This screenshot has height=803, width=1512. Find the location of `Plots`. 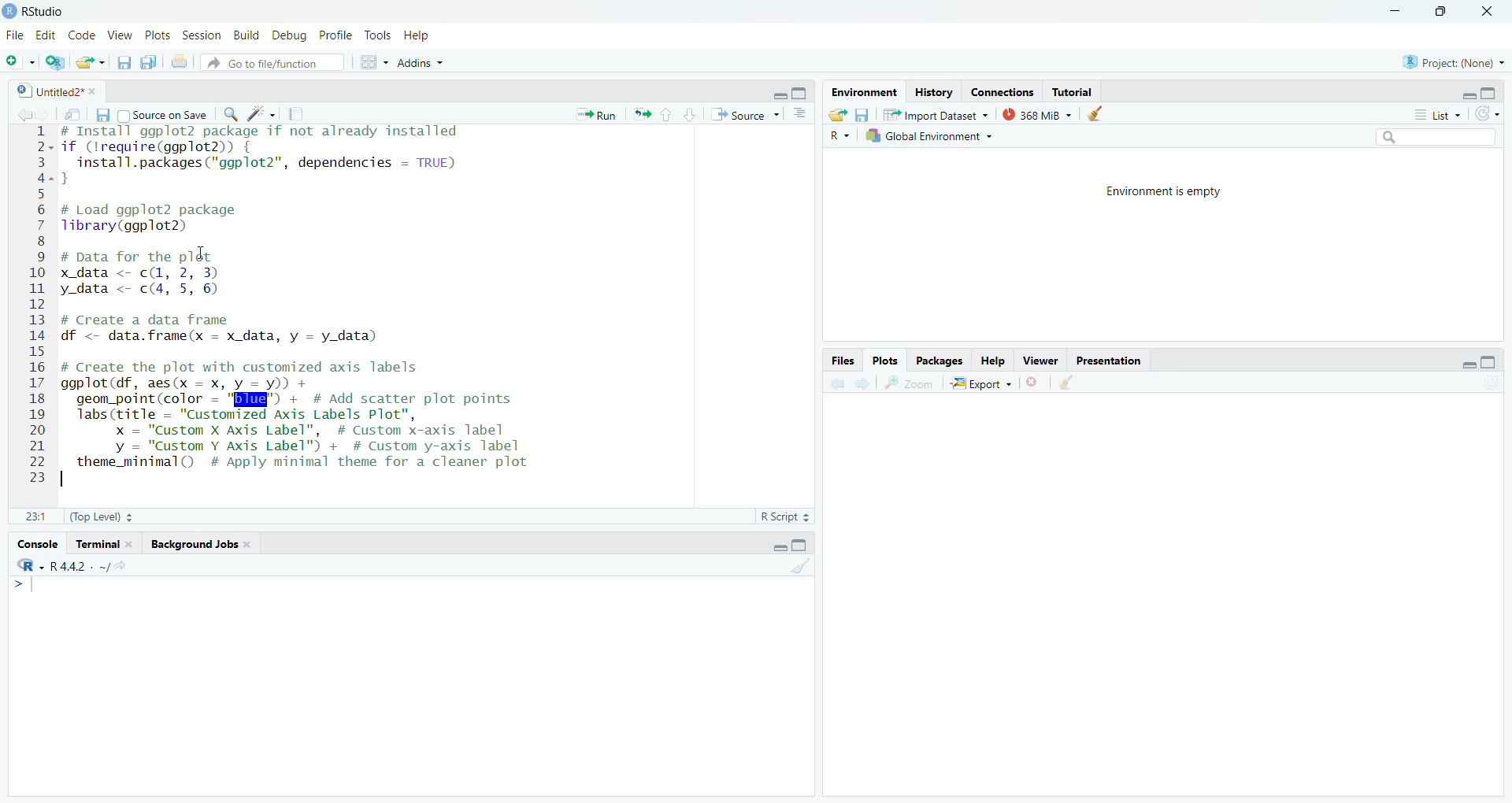

Plots is located at coordinates (155, 34).